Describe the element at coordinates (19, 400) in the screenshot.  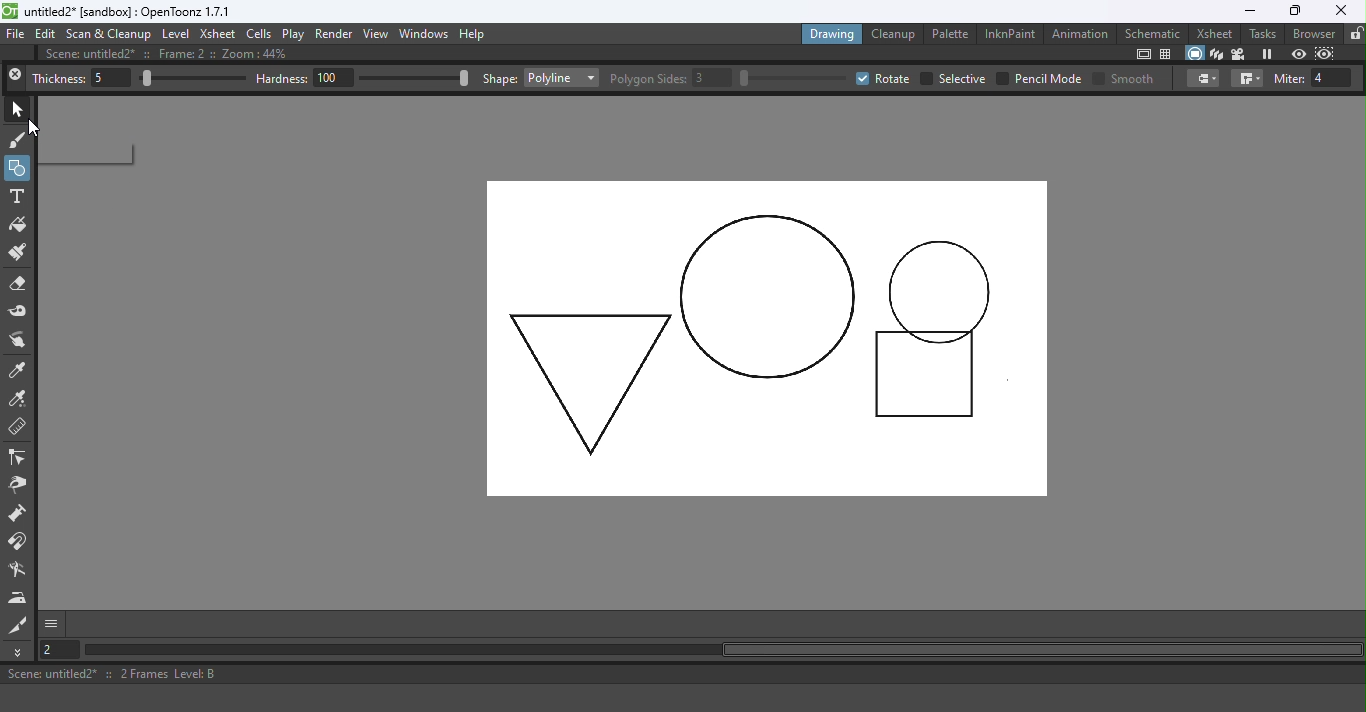
I see `RGB Picker tool` at that location.